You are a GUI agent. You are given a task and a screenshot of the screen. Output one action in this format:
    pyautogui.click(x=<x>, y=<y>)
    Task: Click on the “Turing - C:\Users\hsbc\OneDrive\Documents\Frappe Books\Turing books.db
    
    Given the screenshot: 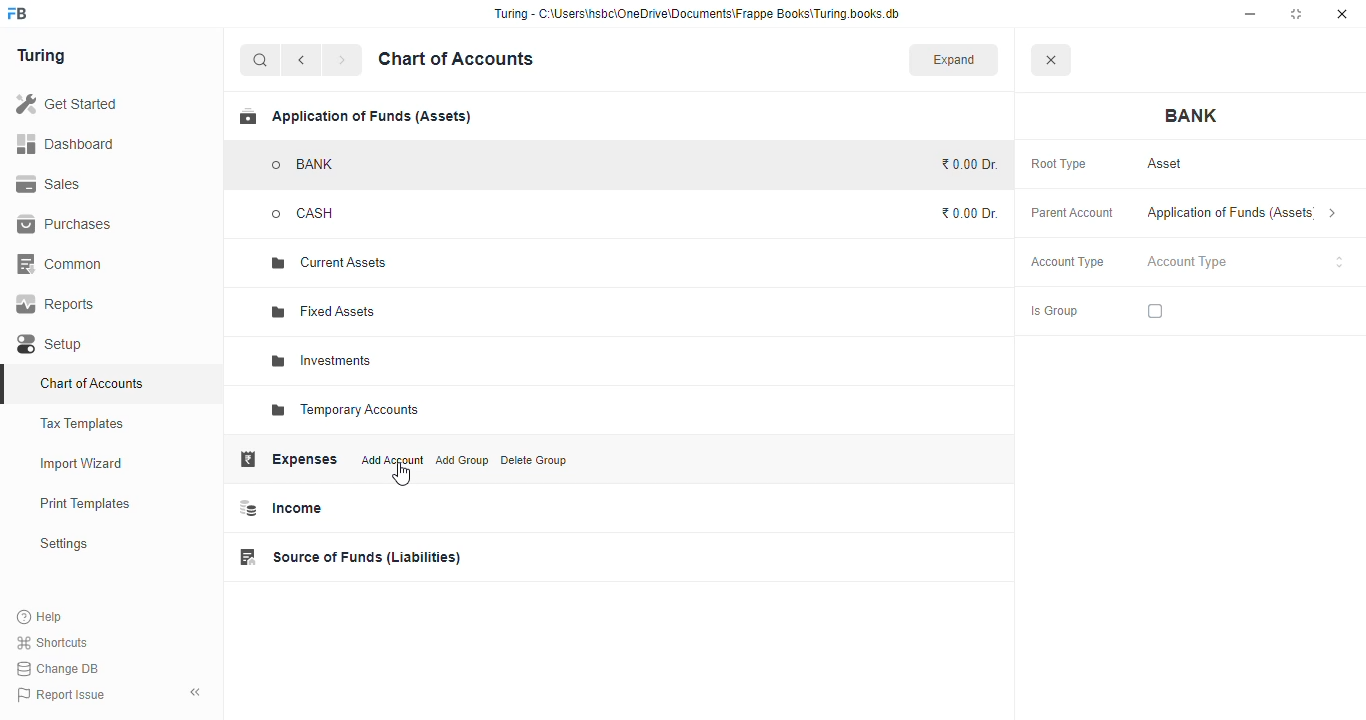 What is the action you would take?
    pyautogui.click(x=696, y=13)
    